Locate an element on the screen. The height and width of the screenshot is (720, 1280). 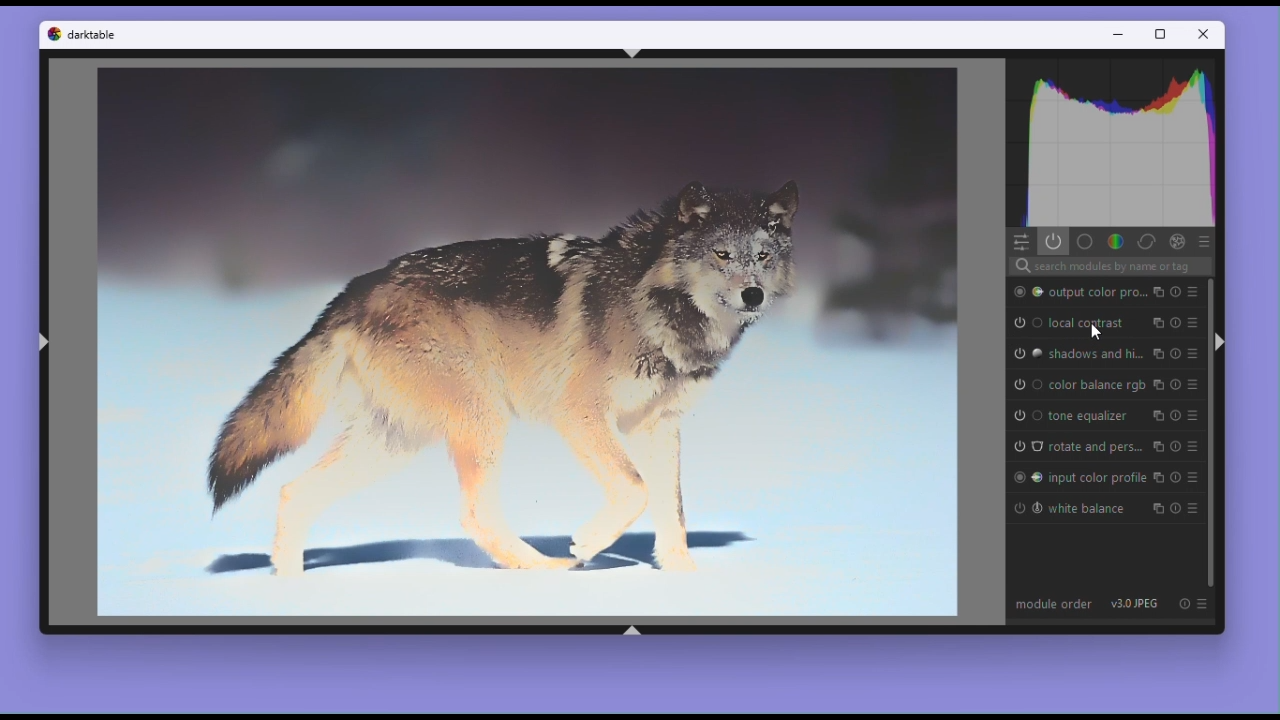
Multiple instance is located at coordinates (1159, 384).